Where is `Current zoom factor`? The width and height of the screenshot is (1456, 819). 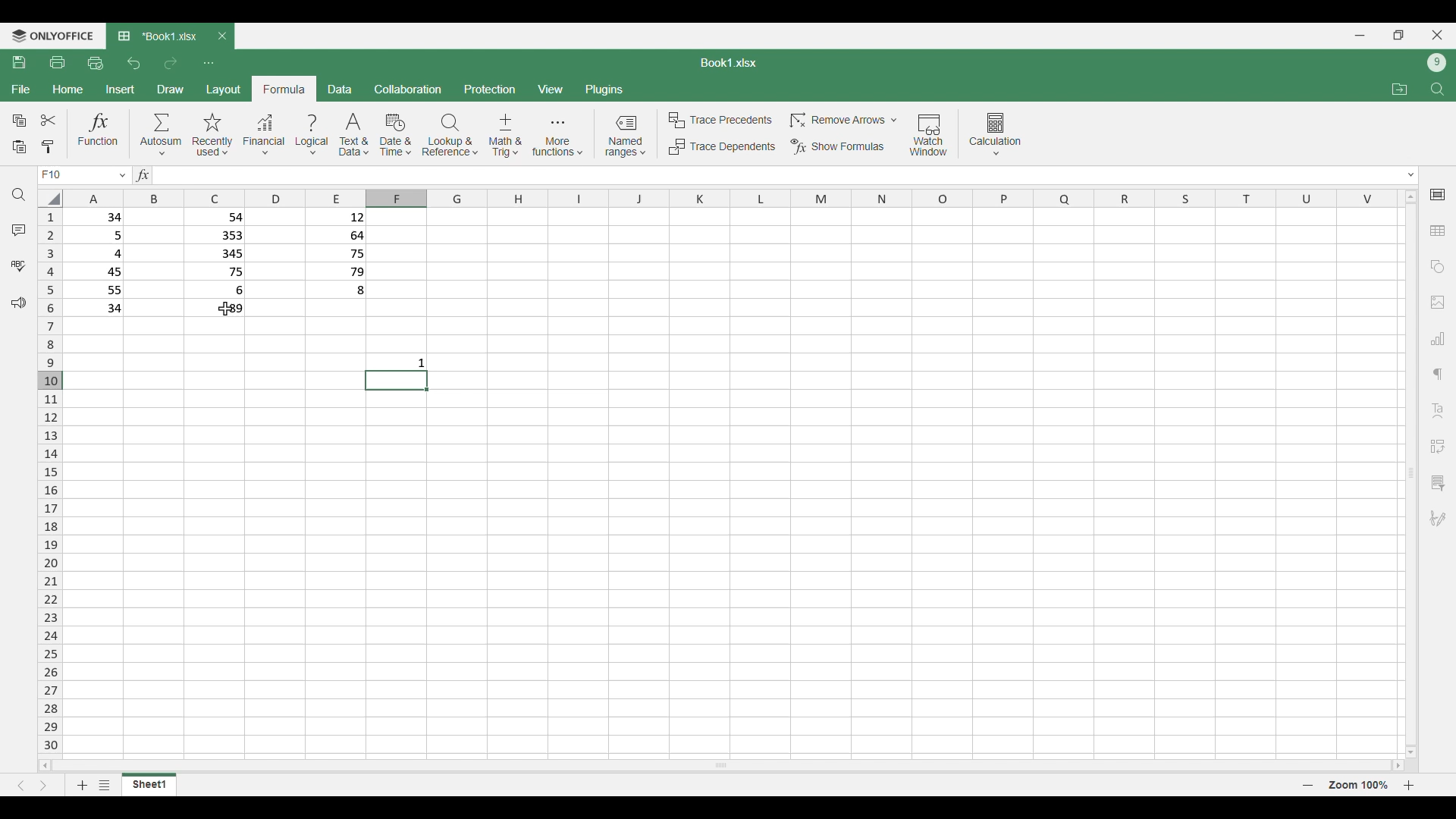 Current zoom factor is located at coordinates (1358, 785).